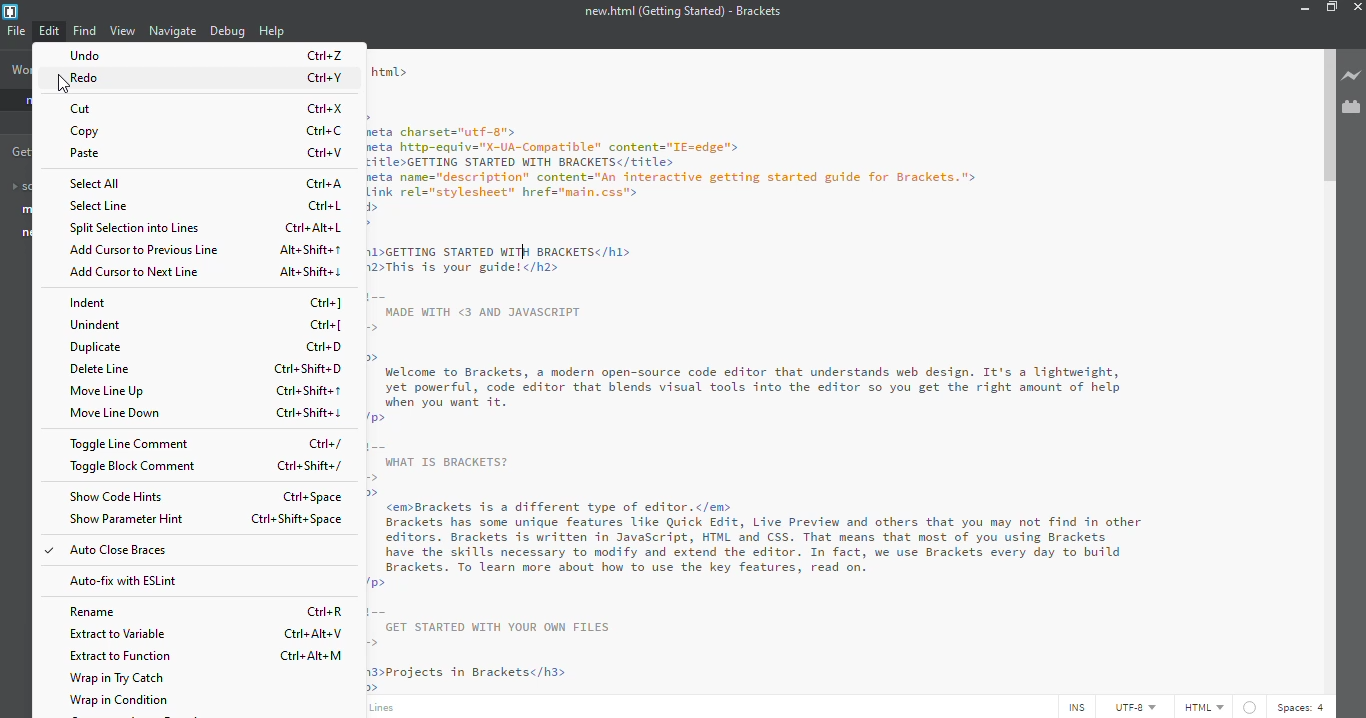 This screenshot has width=1366, height=718. Describe the element at coordinates (128, 519) in the screenshot. I see `show parameter` at that location.